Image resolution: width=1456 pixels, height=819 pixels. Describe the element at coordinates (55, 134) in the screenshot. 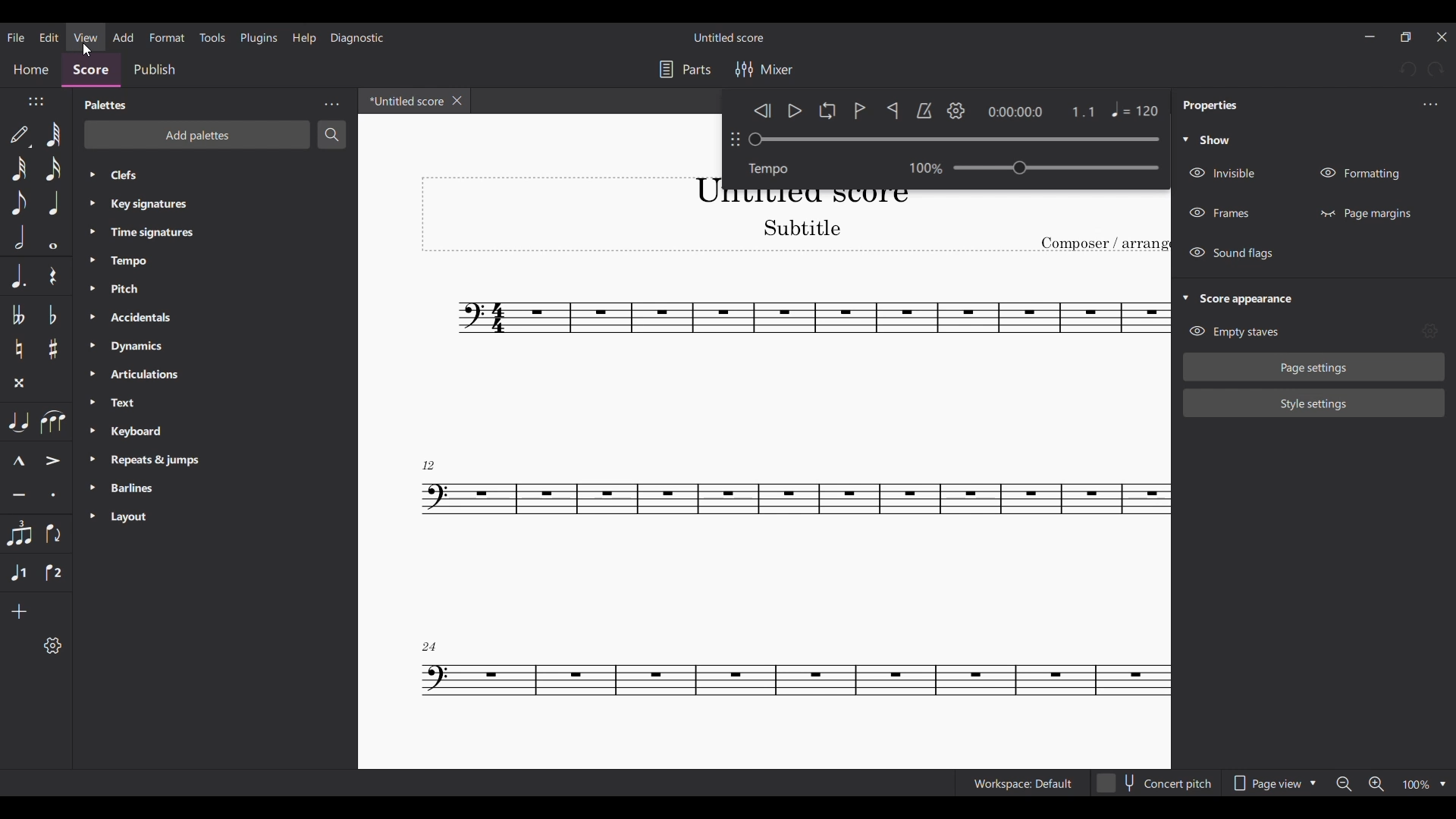

I see `64th note` at that location.